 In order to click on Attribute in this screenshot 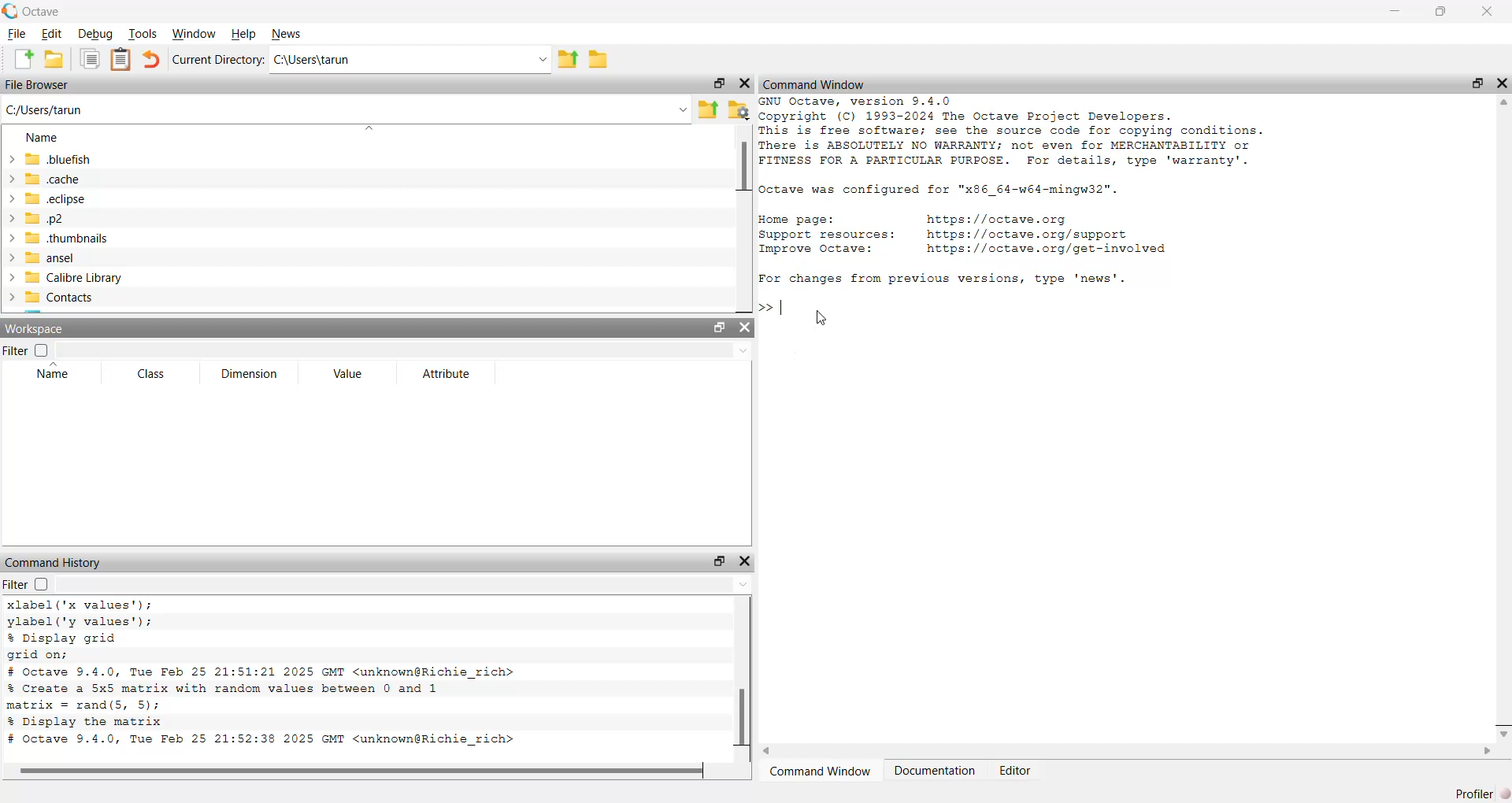, I will do `click(446, 373)`.